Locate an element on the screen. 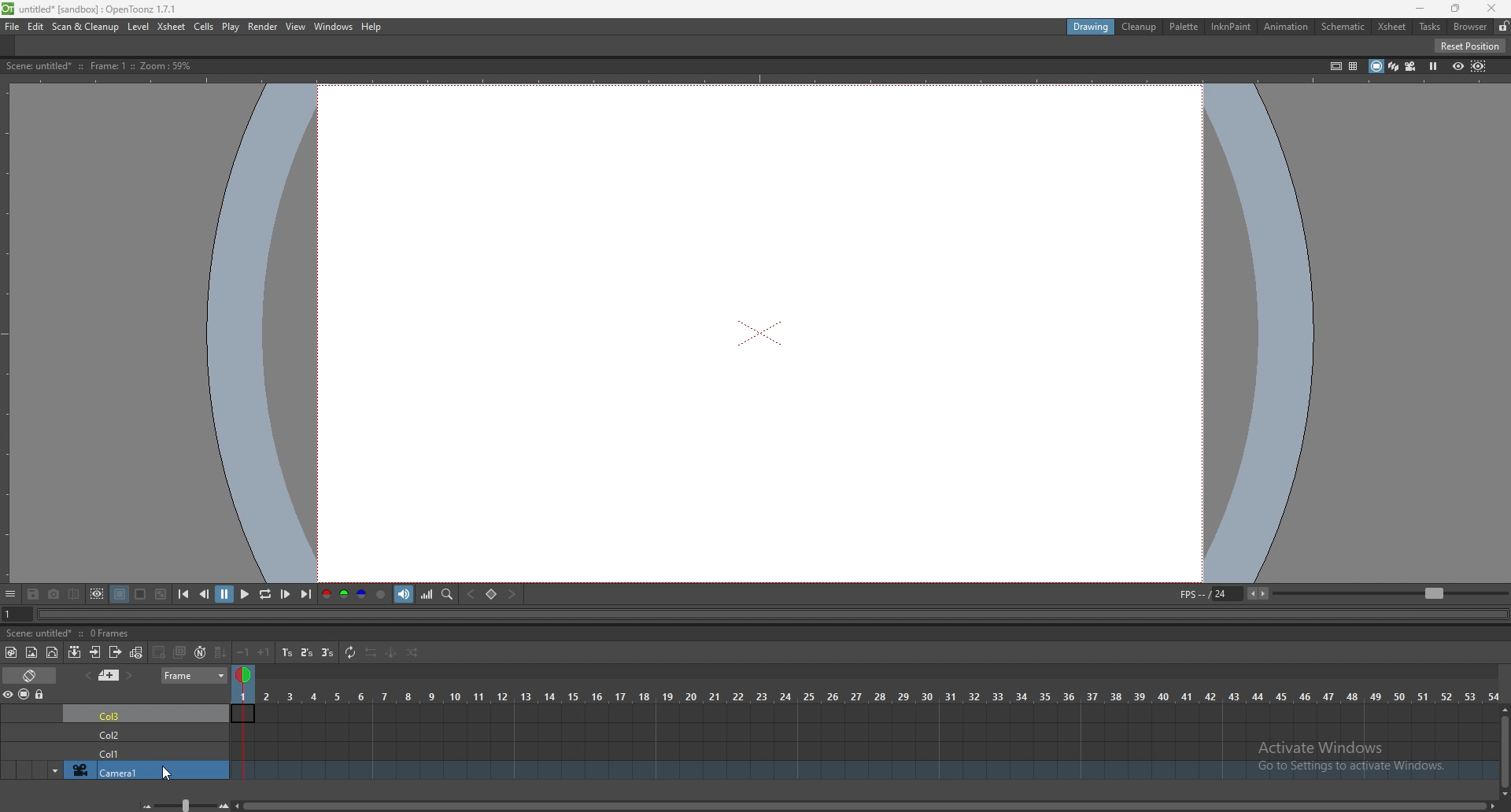 The height and width of the screenshot is (812, 1511). compare to snapshot is located at coordinates (76, 594).